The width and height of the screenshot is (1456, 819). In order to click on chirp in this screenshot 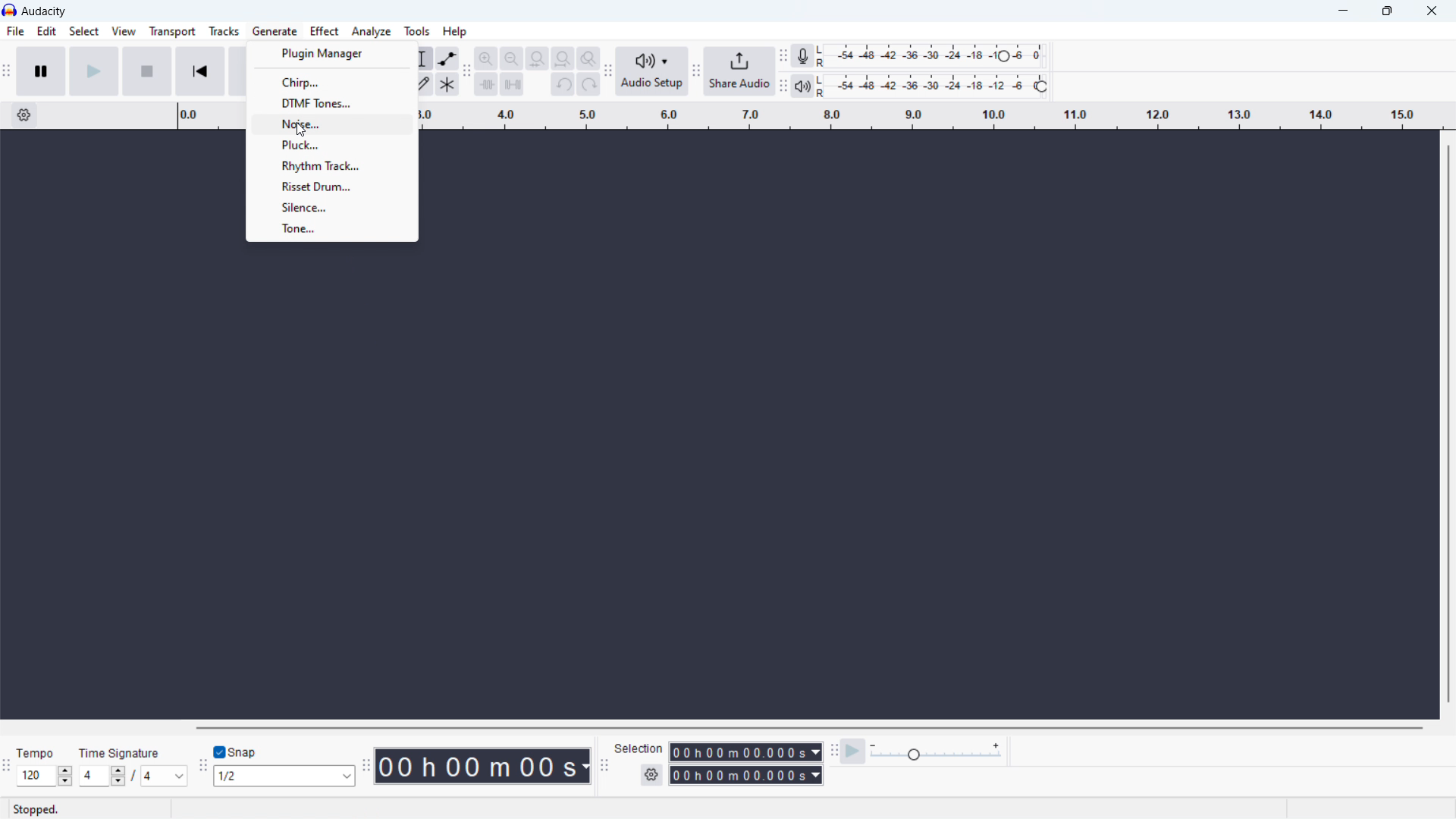, I will do `click(331, 82)`.